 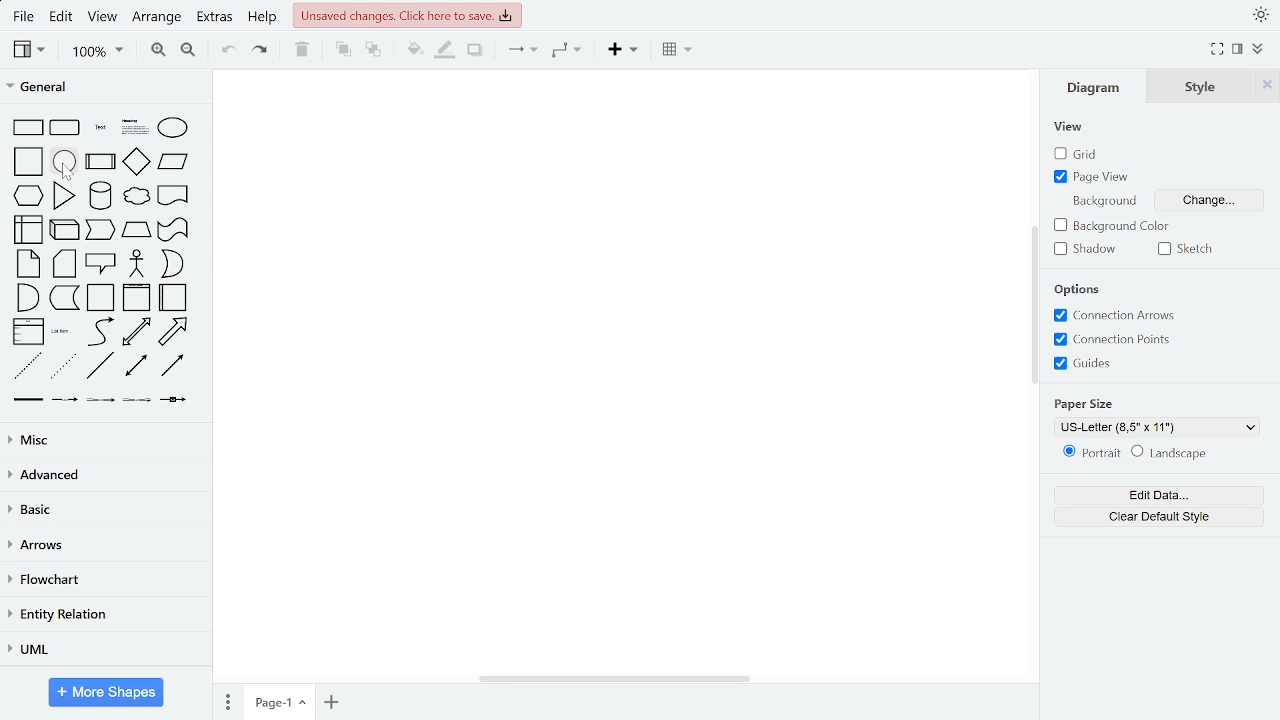 What do you see at coordinates (1088, 250) in the screenshot?
I see `shadow` at bounding box center [1088, 250].